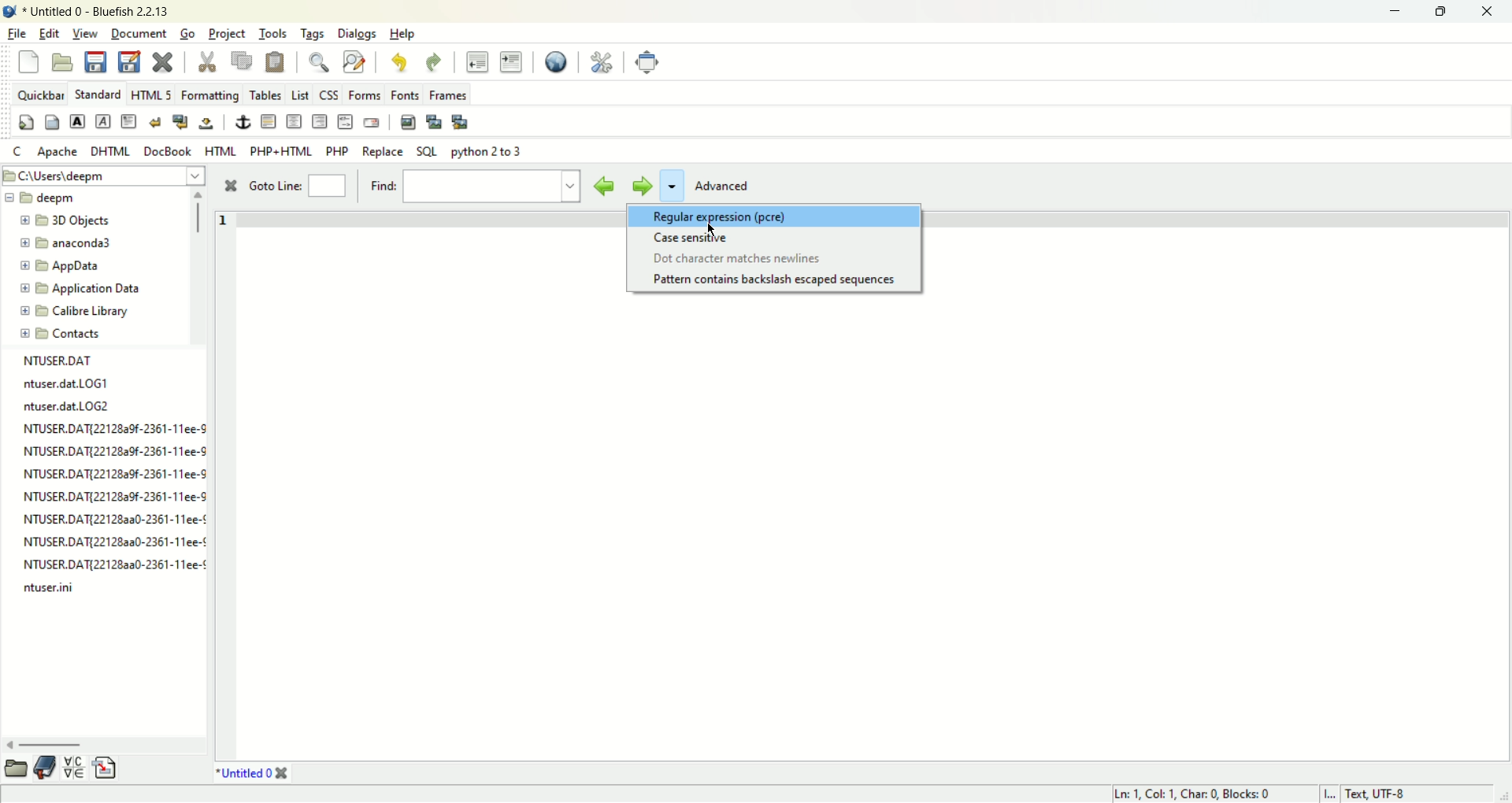 This screenshot has height=803, width=1512. What do you see at coordinates (396, 61) in the screenshot?
I see `undo` at bounding box center [396, 61].